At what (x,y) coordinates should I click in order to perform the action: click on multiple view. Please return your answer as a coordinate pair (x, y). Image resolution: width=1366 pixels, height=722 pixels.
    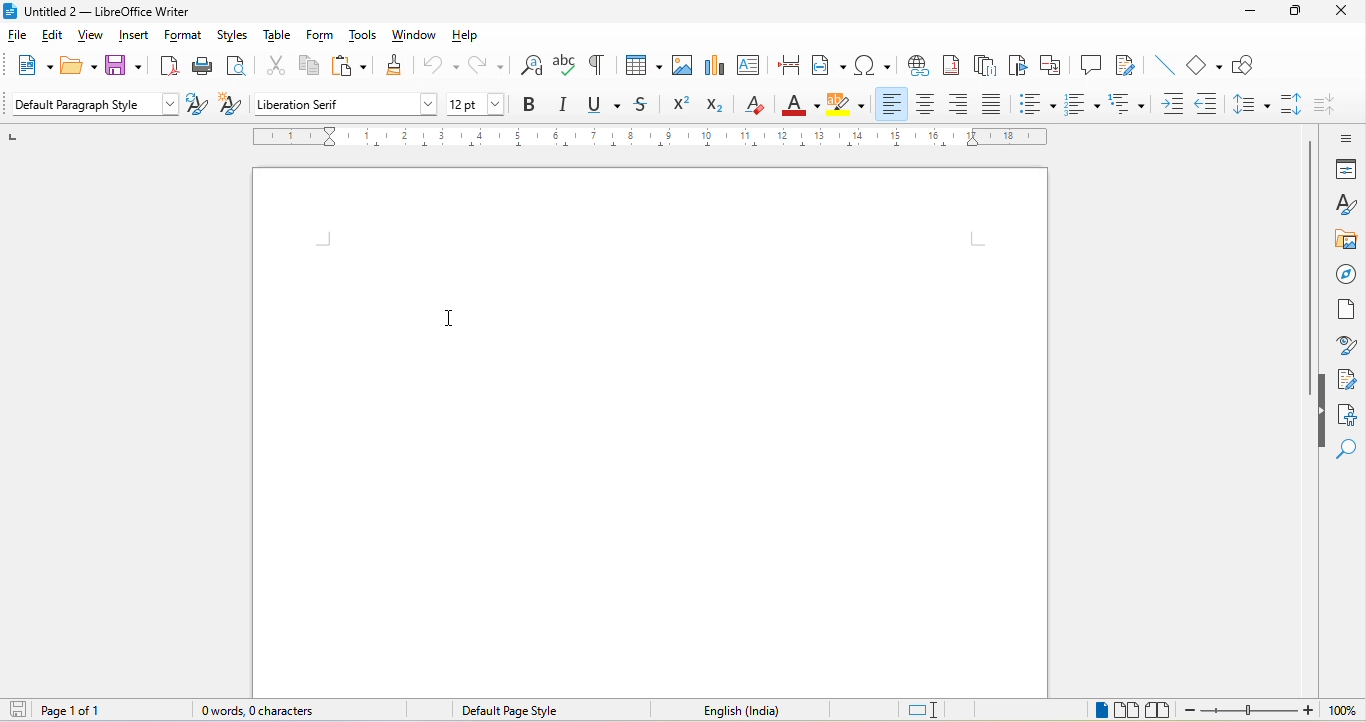
    Looking at the image, I should click on (1128, 710).